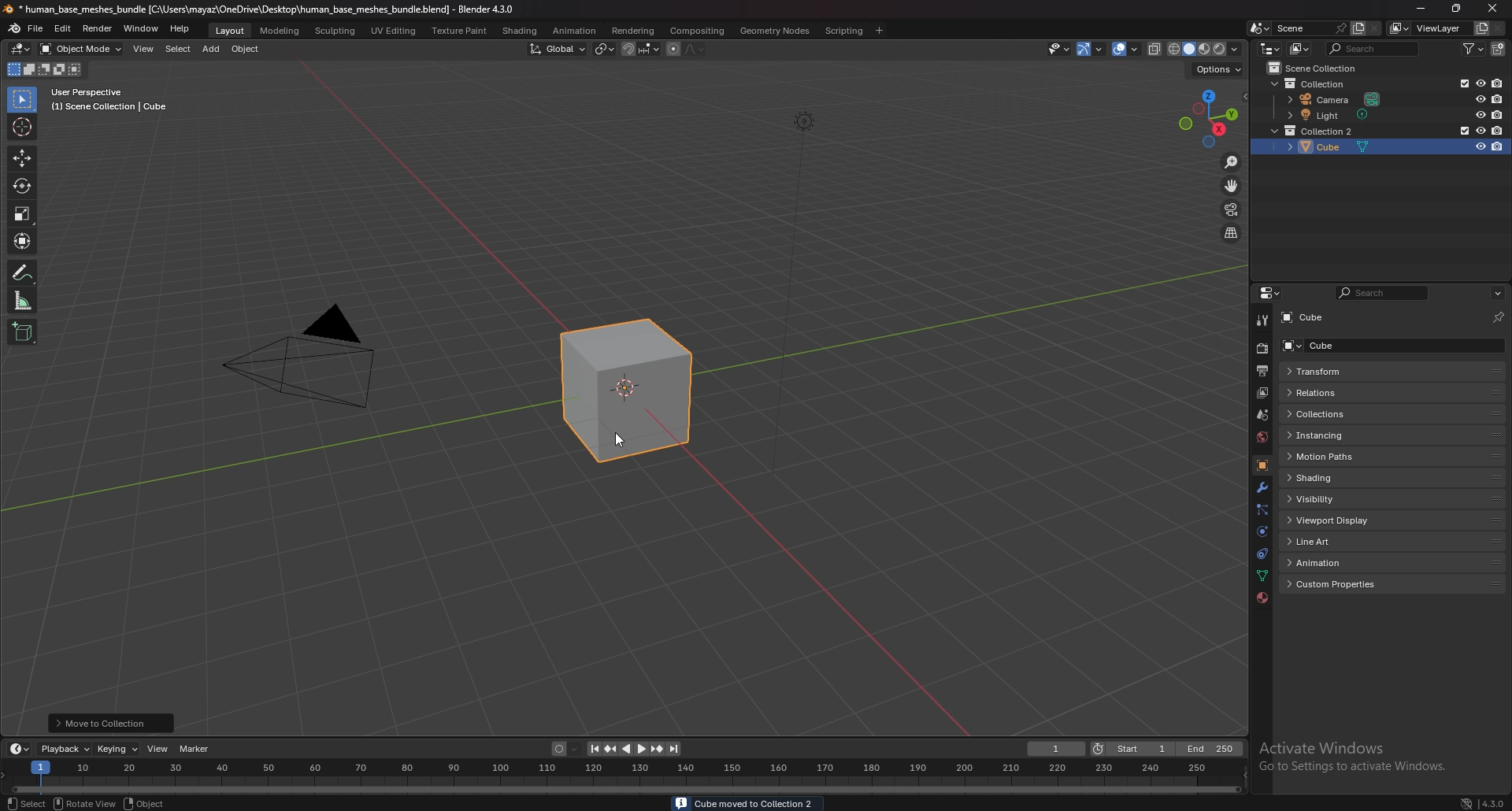 This screenshot has height=811, width=1512. I want to click on user perspective, so click(106, 100).